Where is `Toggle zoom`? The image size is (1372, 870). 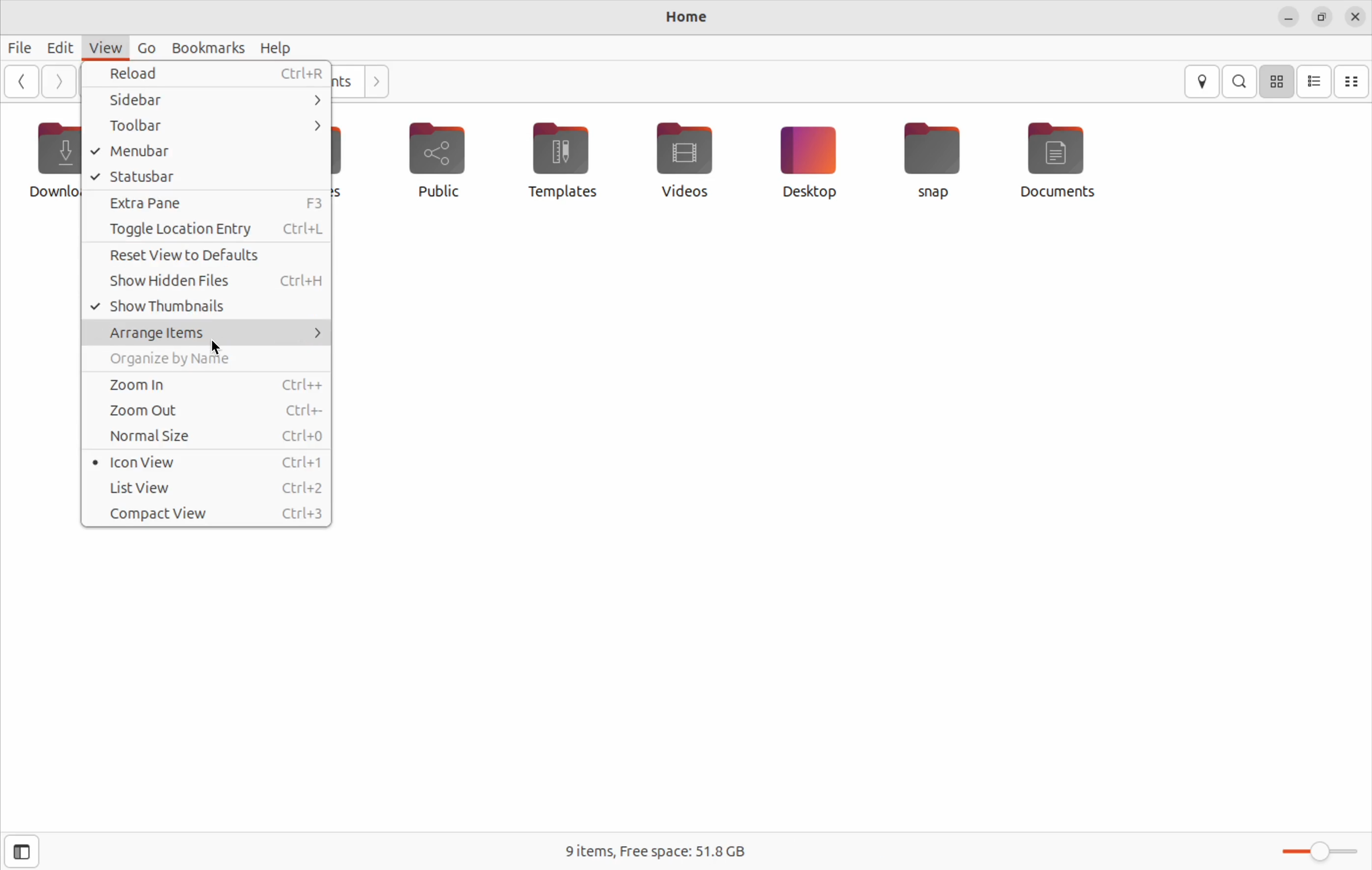 Toggle zoom is located at coordinates (1321, 849).